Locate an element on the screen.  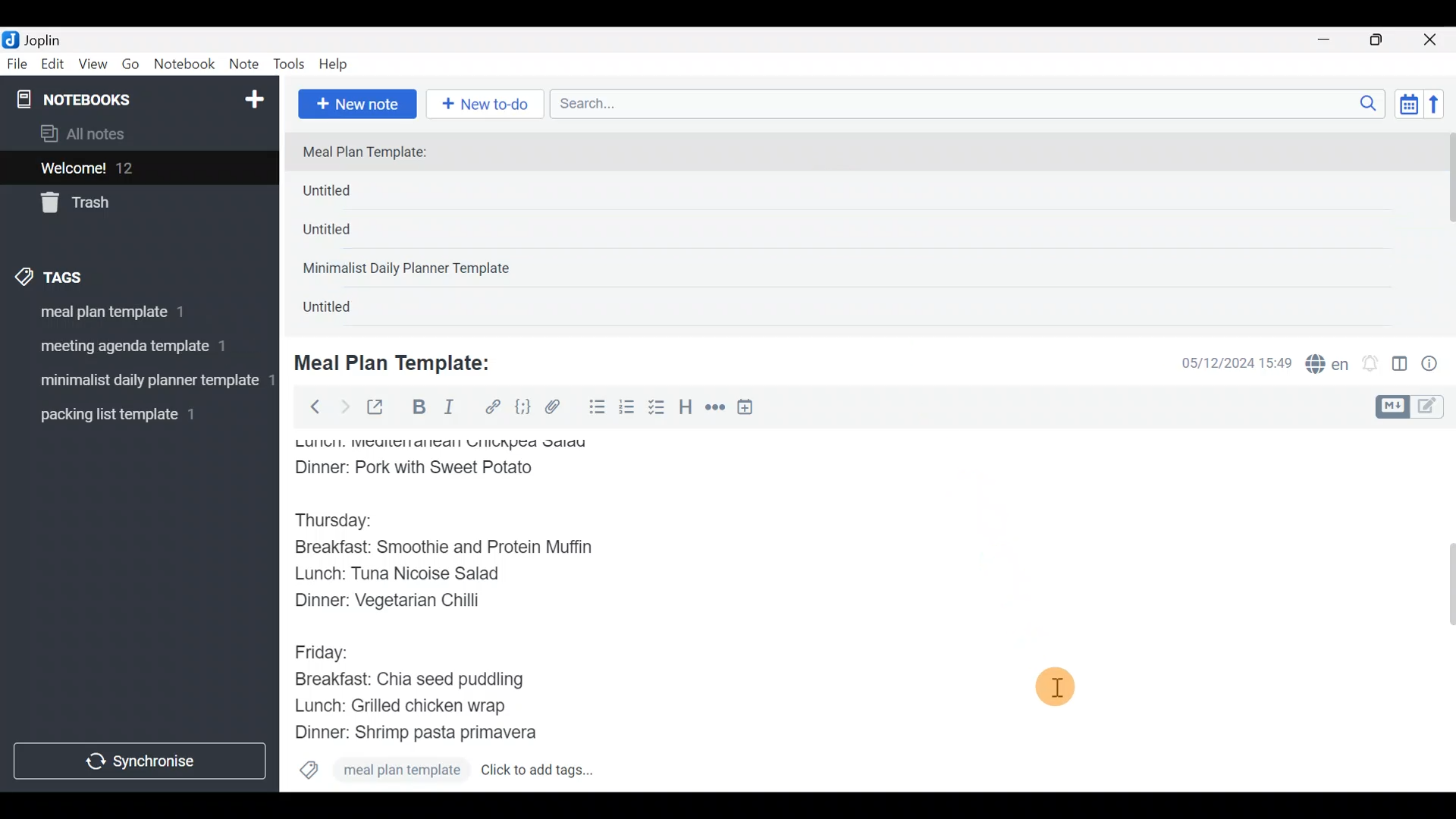
Hyperlink is located at coordinates (493, 407).